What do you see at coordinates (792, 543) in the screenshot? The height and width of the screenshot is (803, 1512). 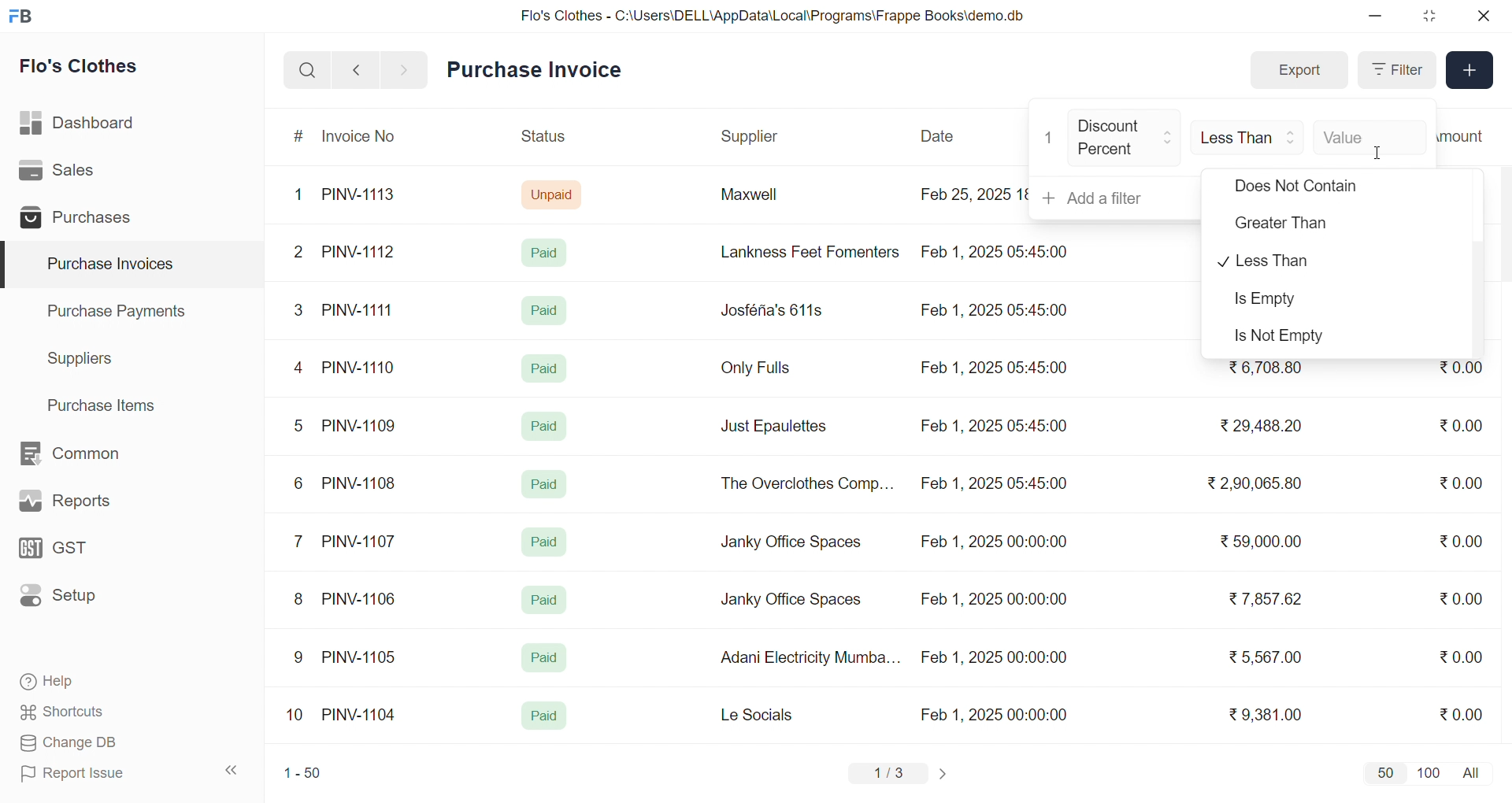 I see `Janky Office Spaces` at bounding box center [792, 543].